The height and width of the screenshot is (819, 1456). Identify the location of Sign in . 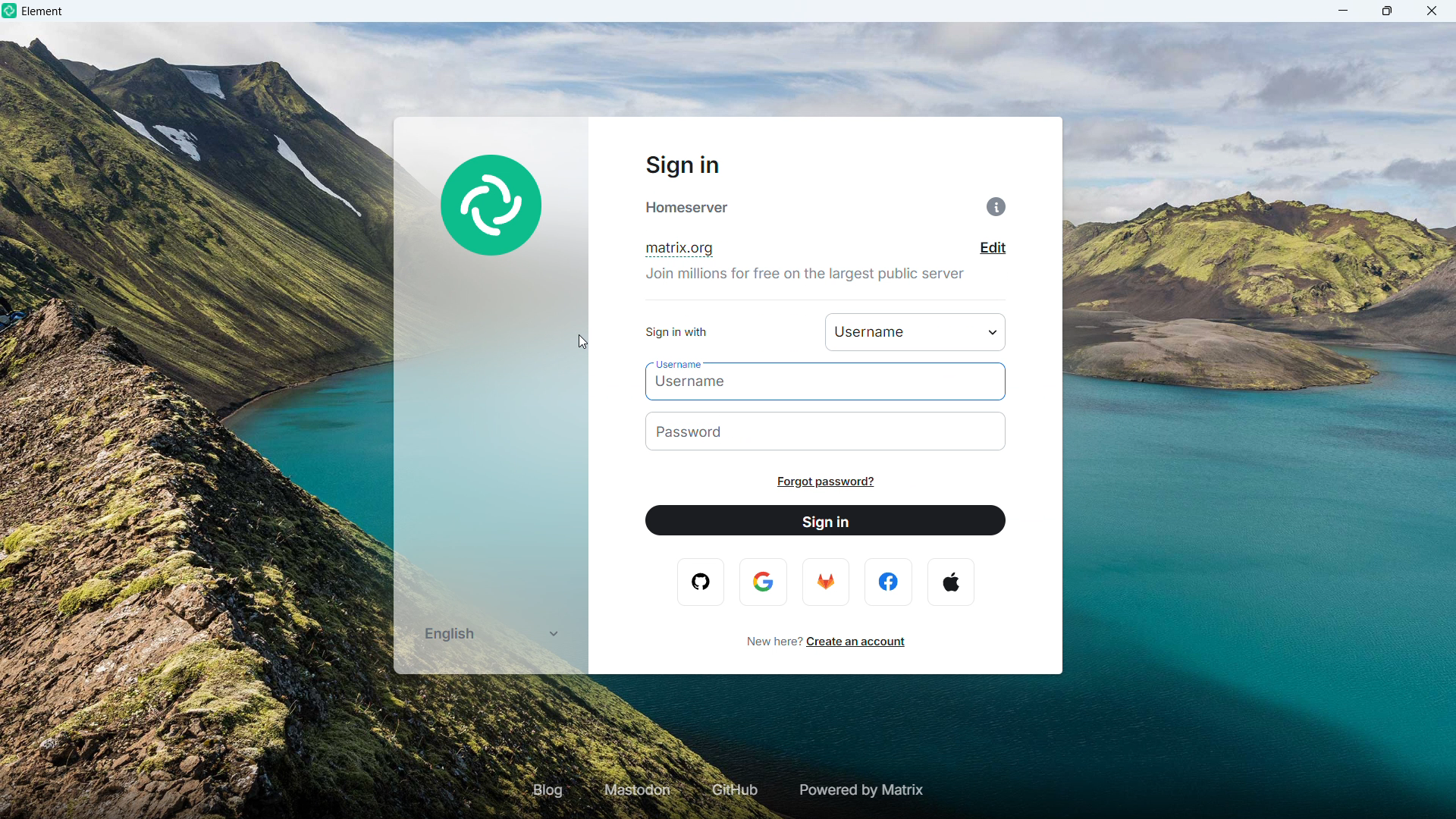
(680, 166).